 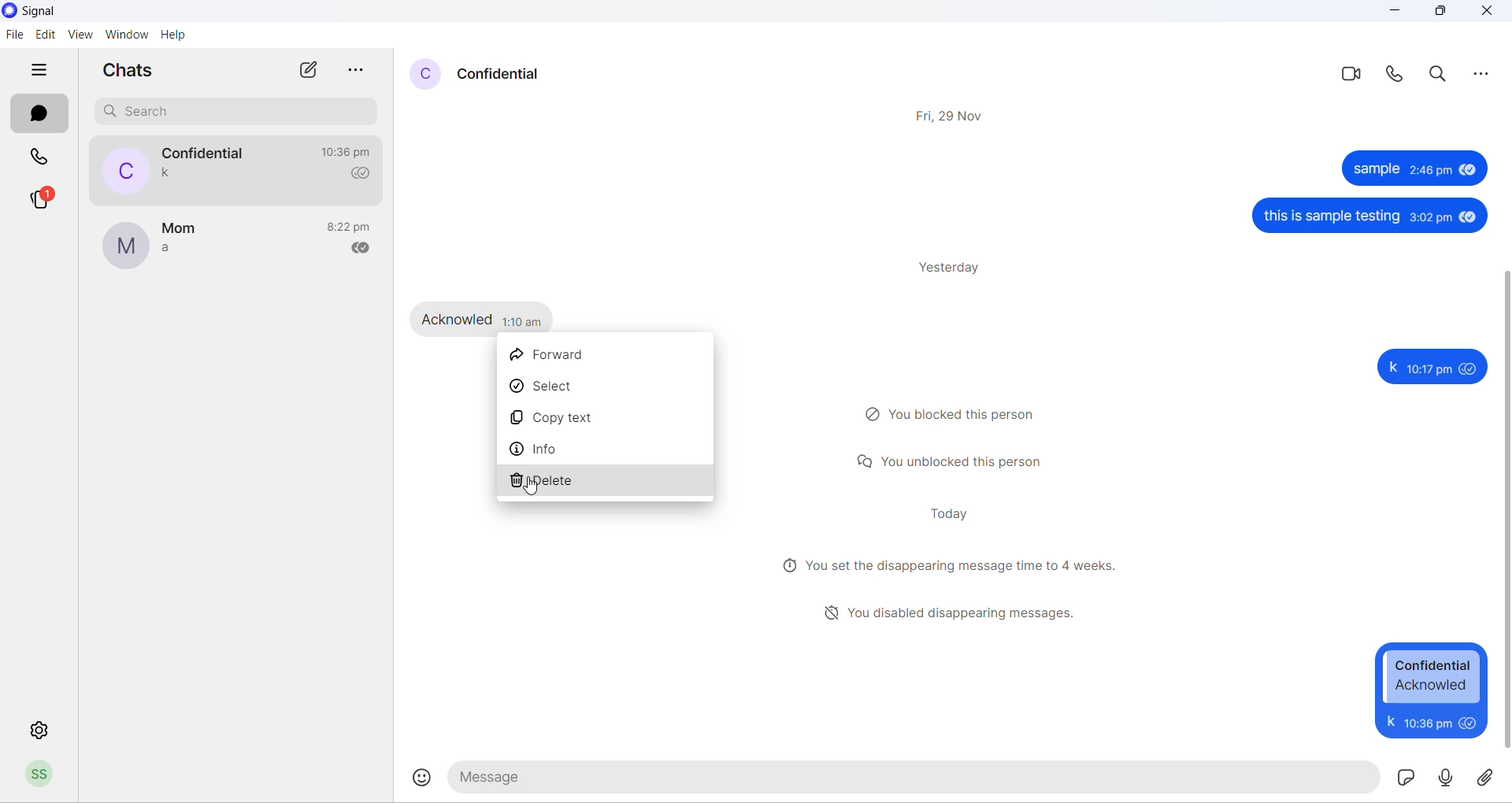 What do you see at coordinates (1490, 775) in the screenshot?
I see `share attachments` at bounding box center [1490, 775].